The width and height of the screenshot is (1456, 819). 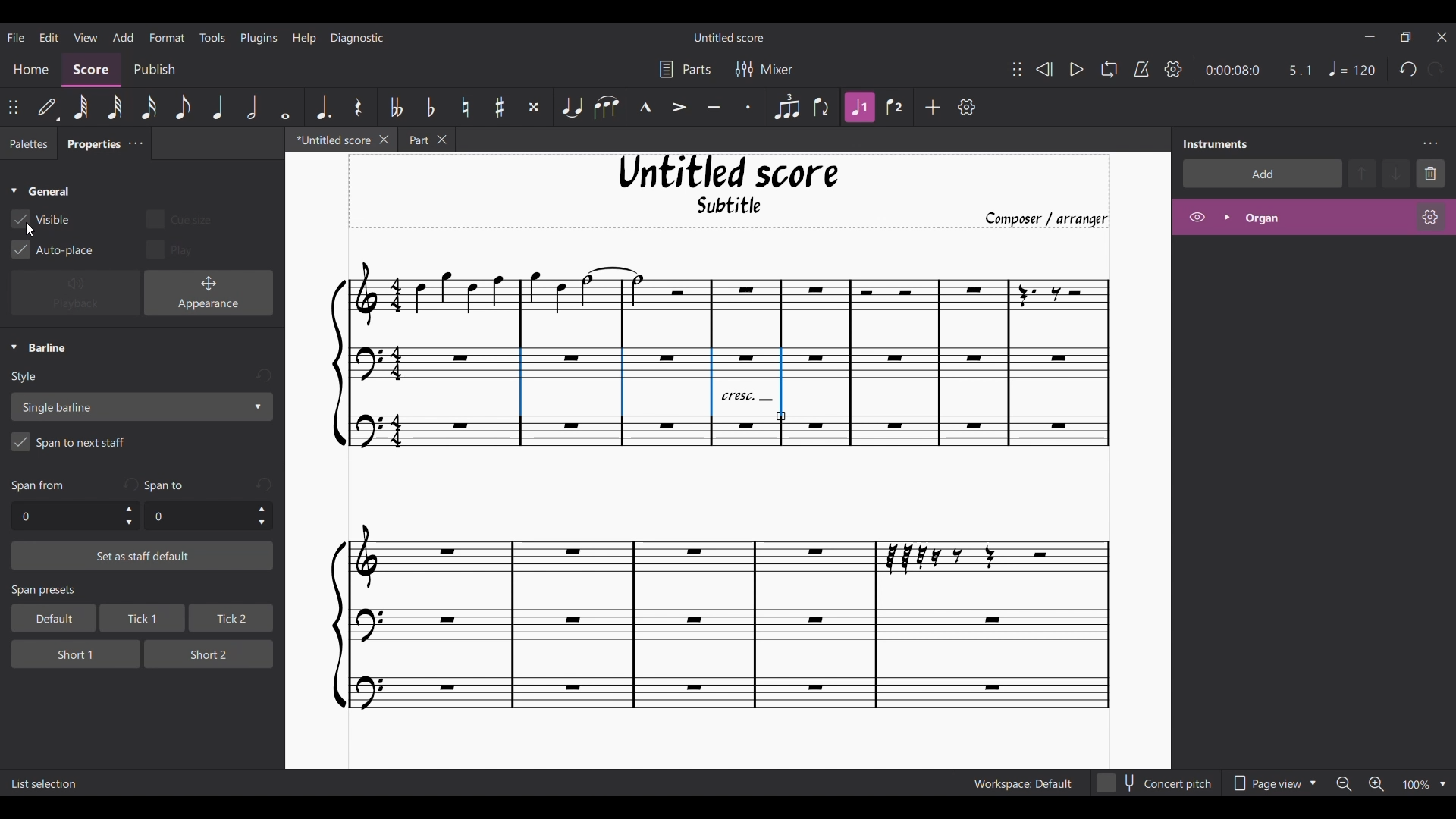 I want to click on Close/Undock Properties tab, so click(x=135, y=143).